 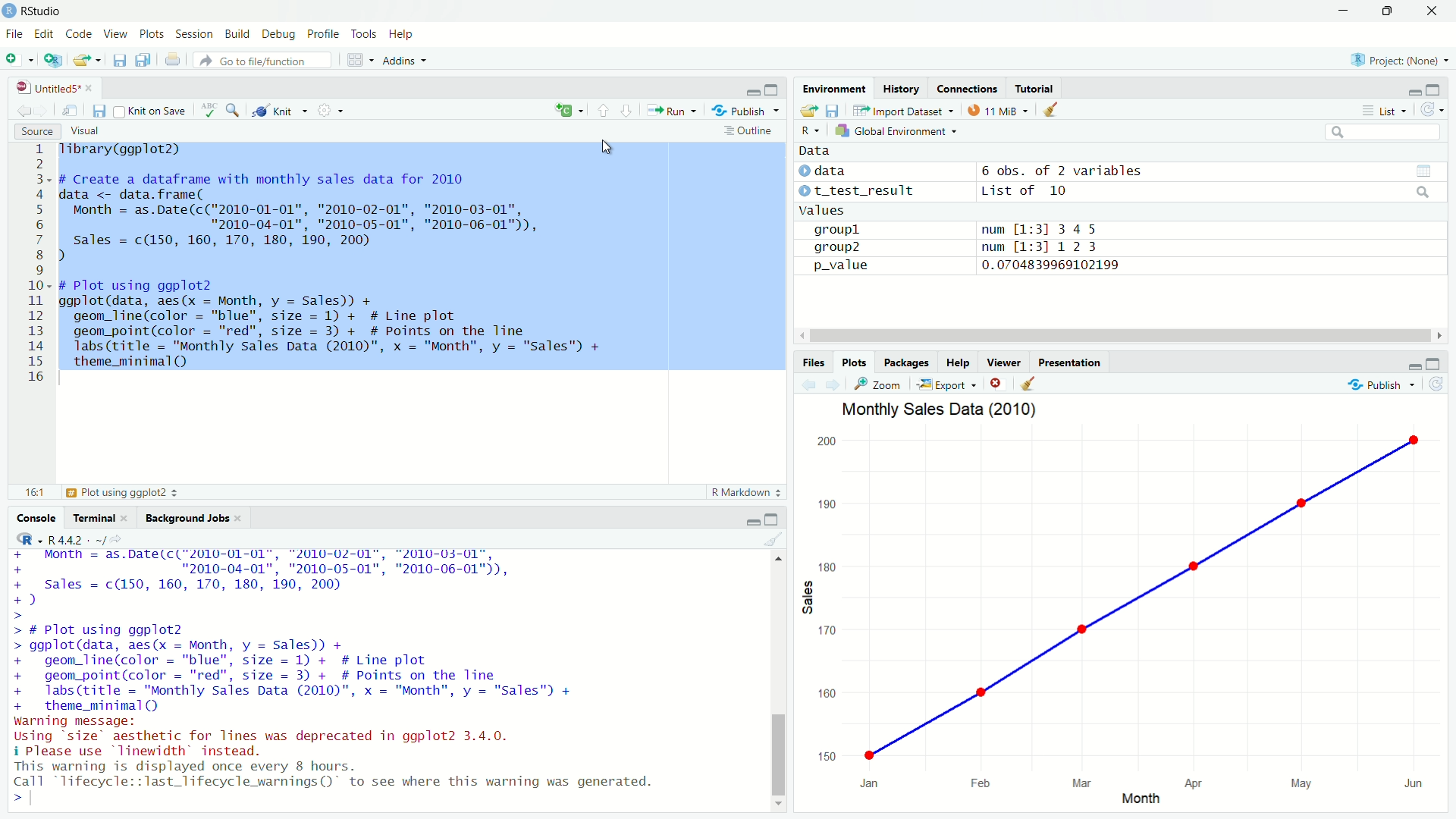 I want to click on export, so click(x=946, y=383).